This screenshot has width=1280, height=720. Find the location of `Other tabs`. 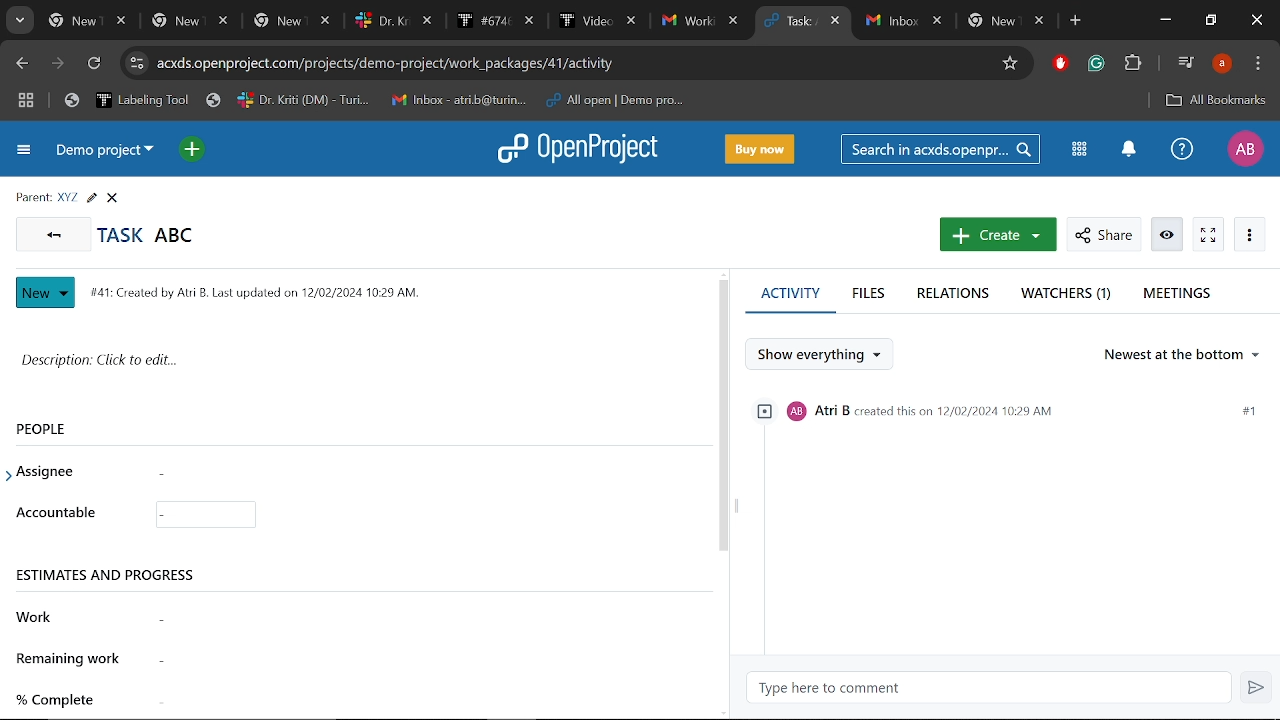

Other tabs is located at coordinates (392, 21).